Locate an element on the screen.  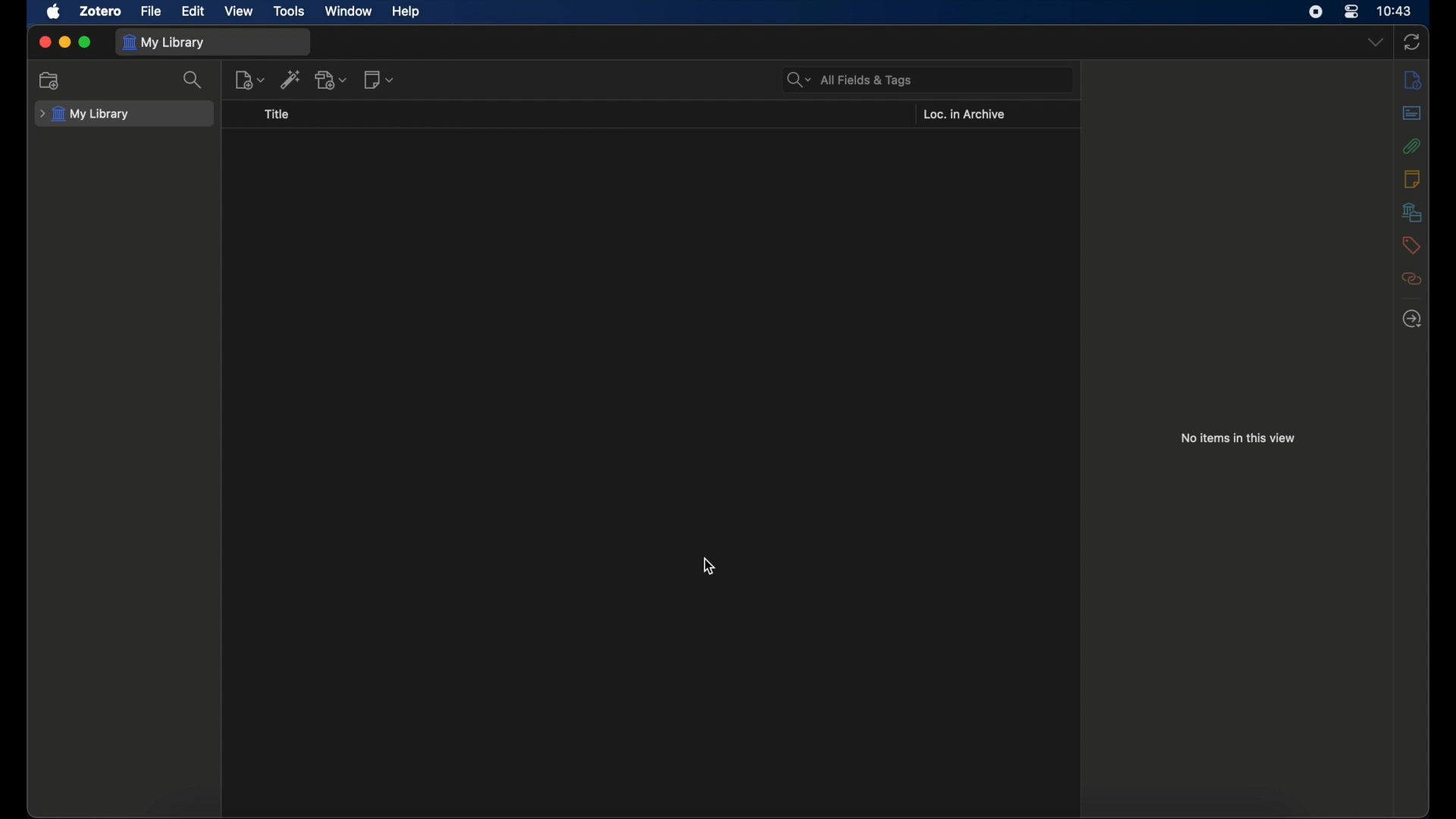
tools is located at coordinates (290, 11).